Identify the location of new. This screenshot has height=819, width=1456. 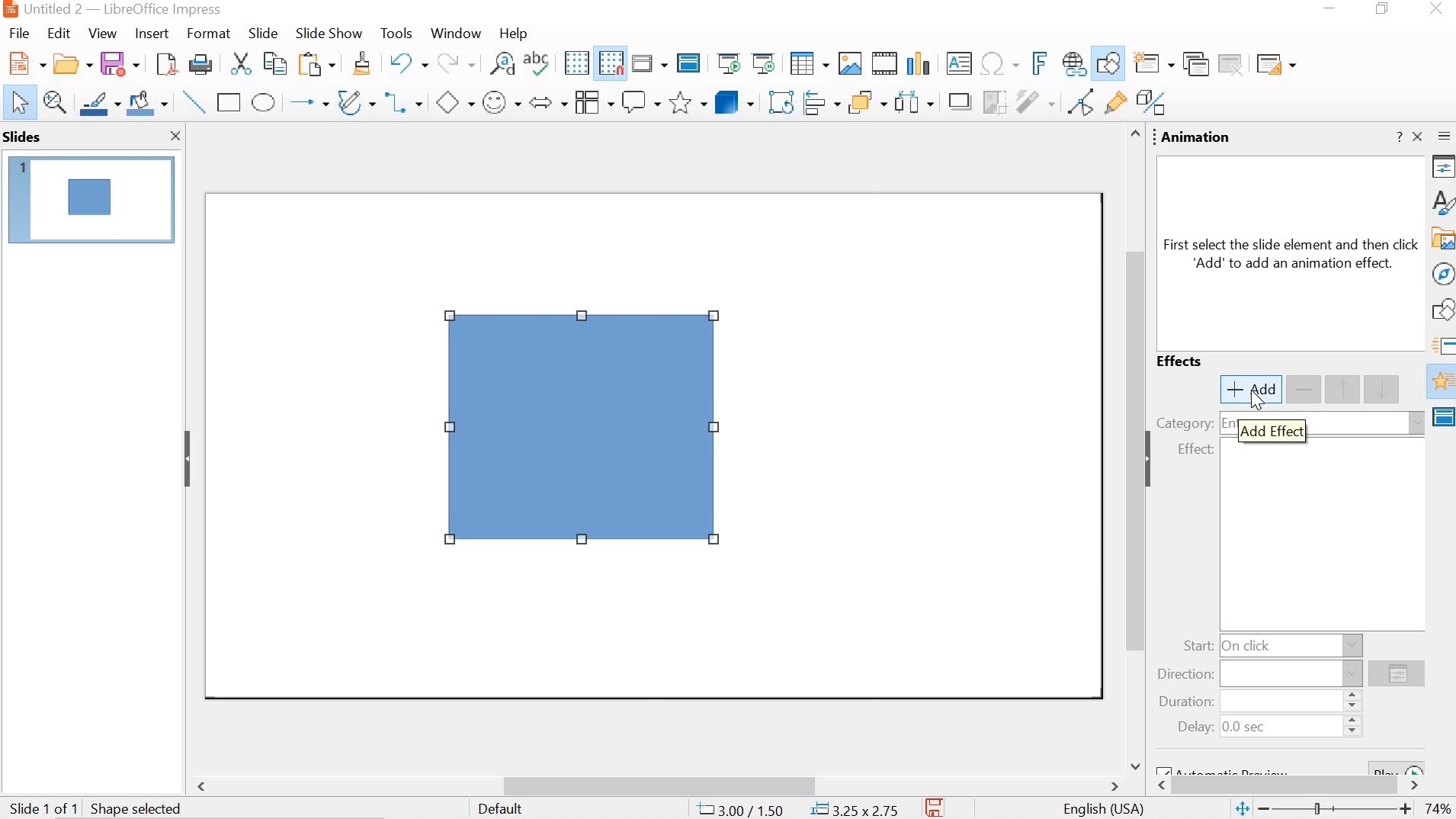
(73, 63).